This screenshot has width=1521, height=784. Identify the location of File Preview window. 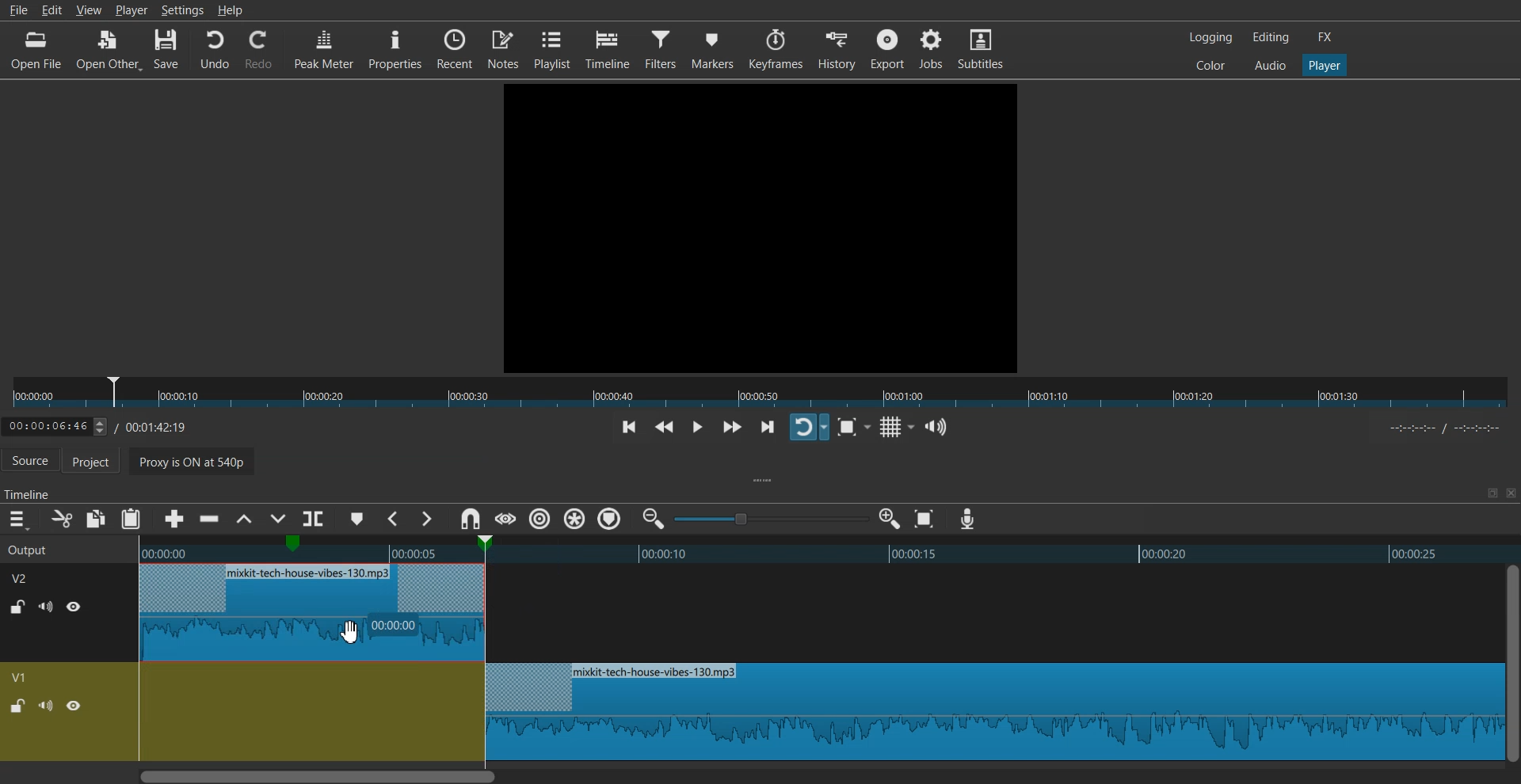
(764, 226).